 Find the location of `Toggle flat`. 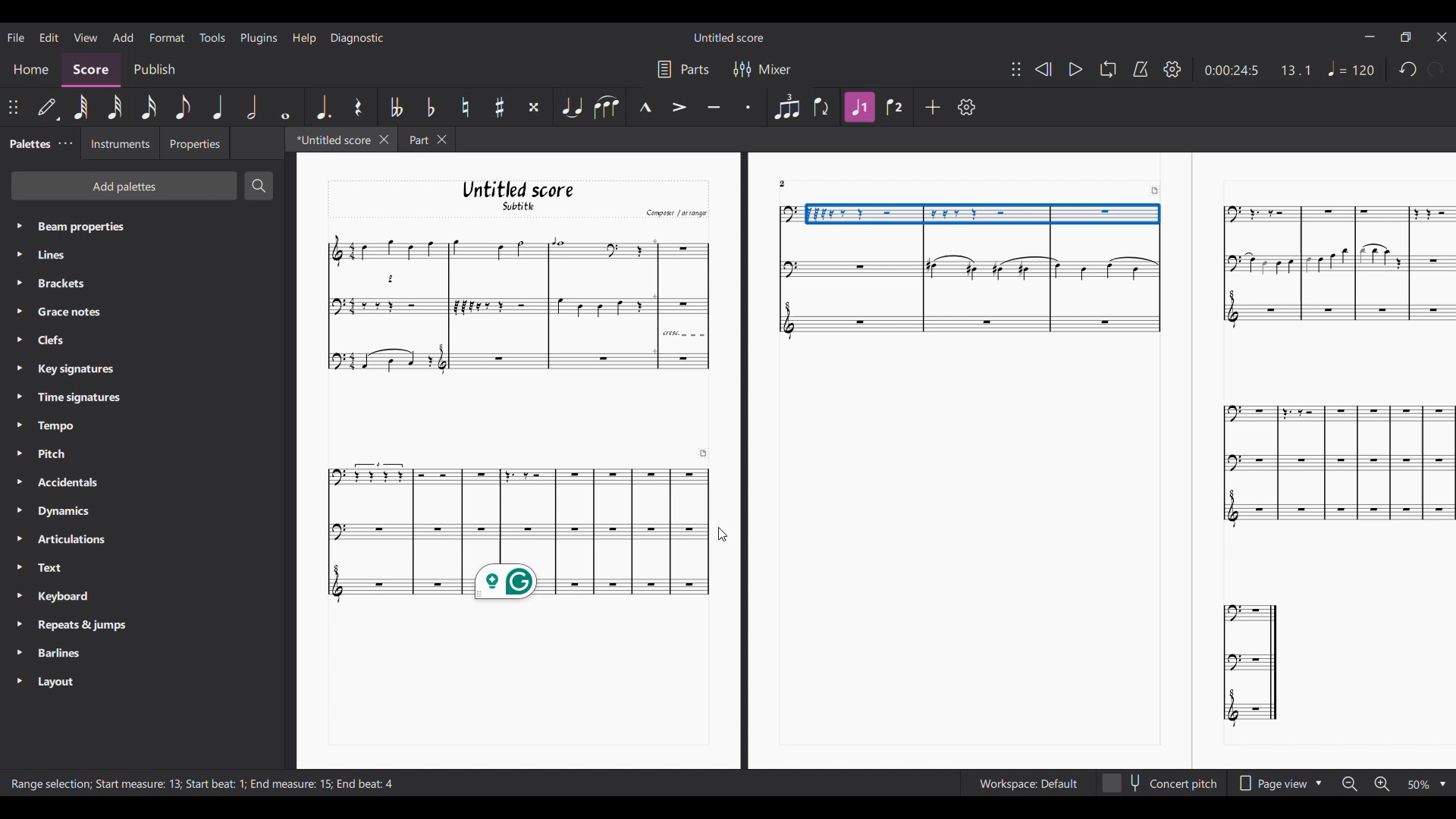

Toggle flat is located at coordinates (430, 106).